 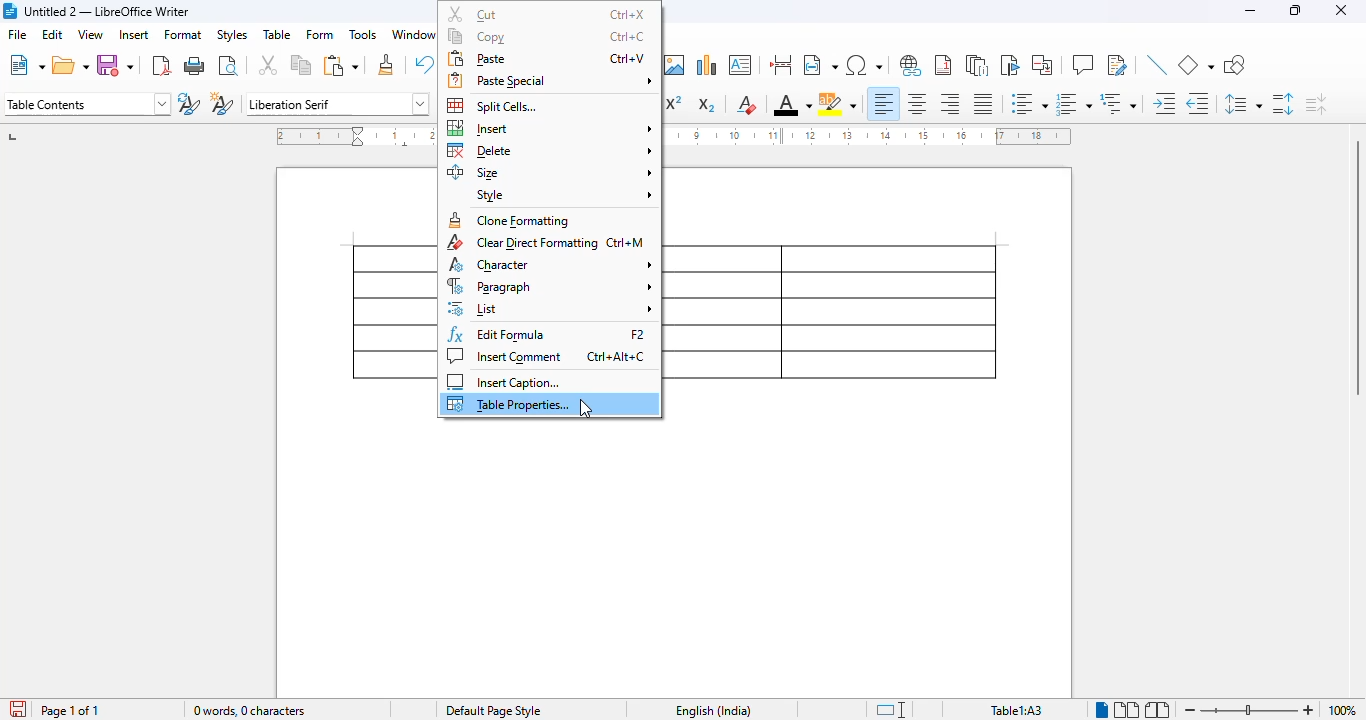 I want to click on insert bookmark, so click(x=1008, y=65).